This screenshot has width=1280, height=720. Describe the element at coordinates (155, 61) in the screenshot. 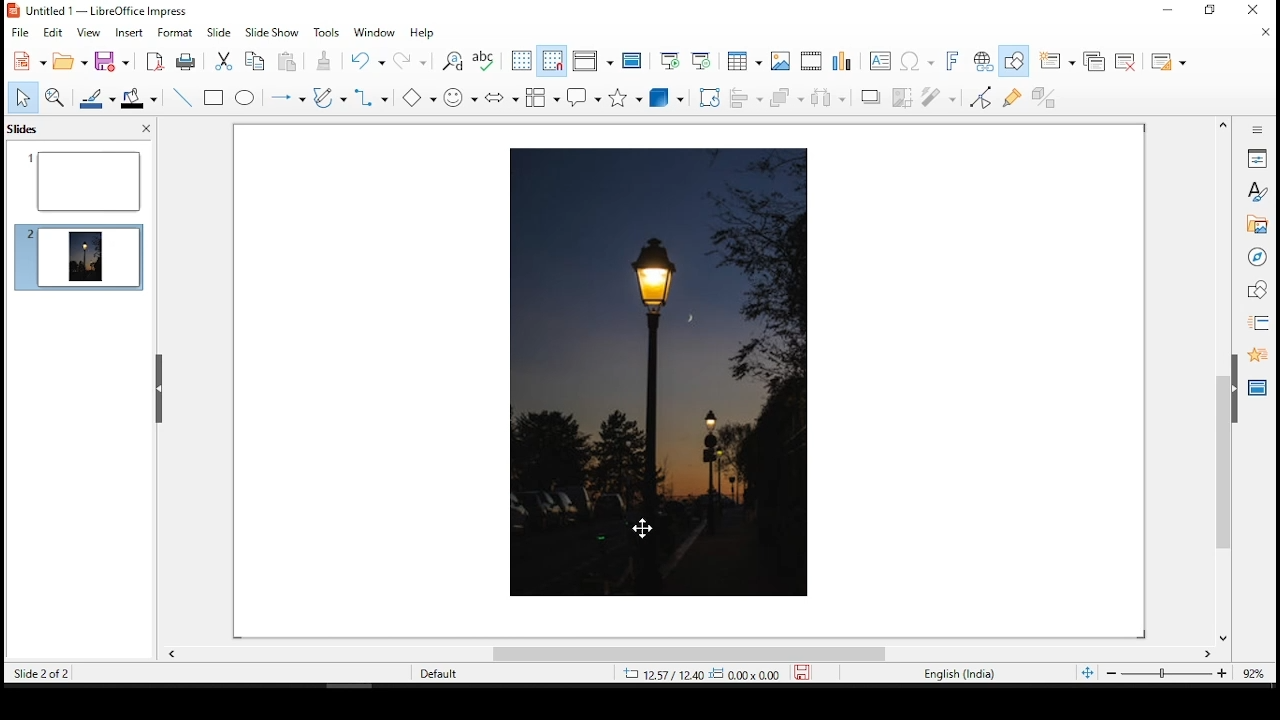

I see `acrobat as pdf` at that location.